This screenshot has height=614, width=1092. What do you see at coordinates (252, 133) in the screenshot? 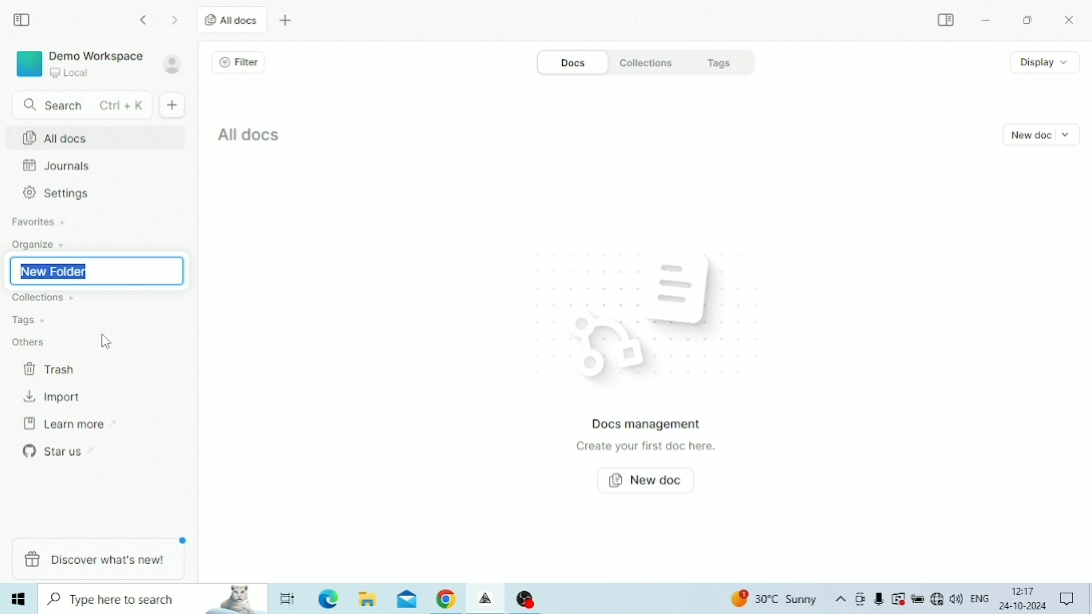
I see `All docs` at bounding box center [252, 133].